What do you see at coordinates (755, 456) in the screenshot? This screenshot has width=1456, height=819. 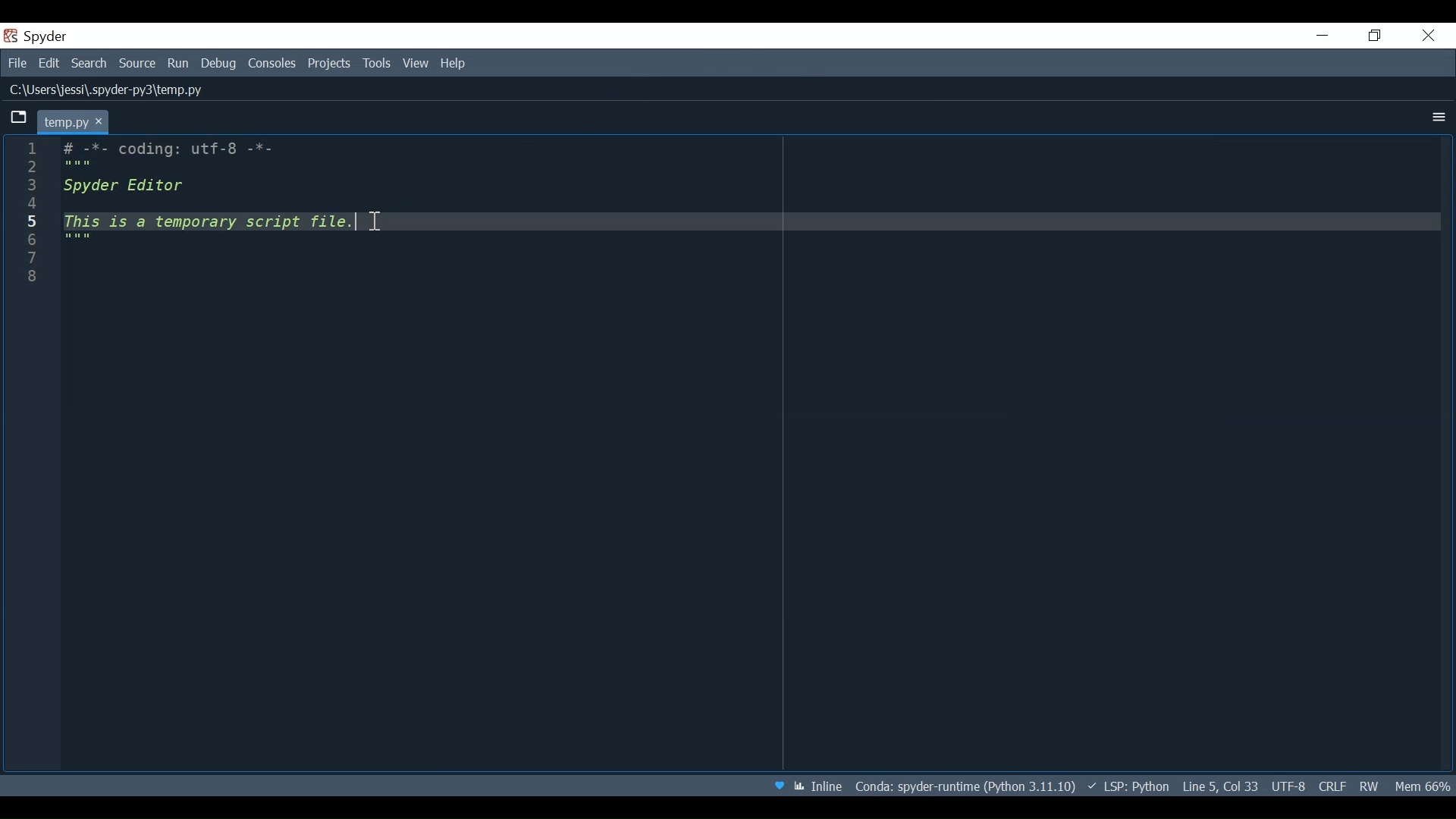 I see `# -*- coding: utf-8 -*- """ Spyder Editor  This is a temporary script file. """` at bounding box center [755, 456].